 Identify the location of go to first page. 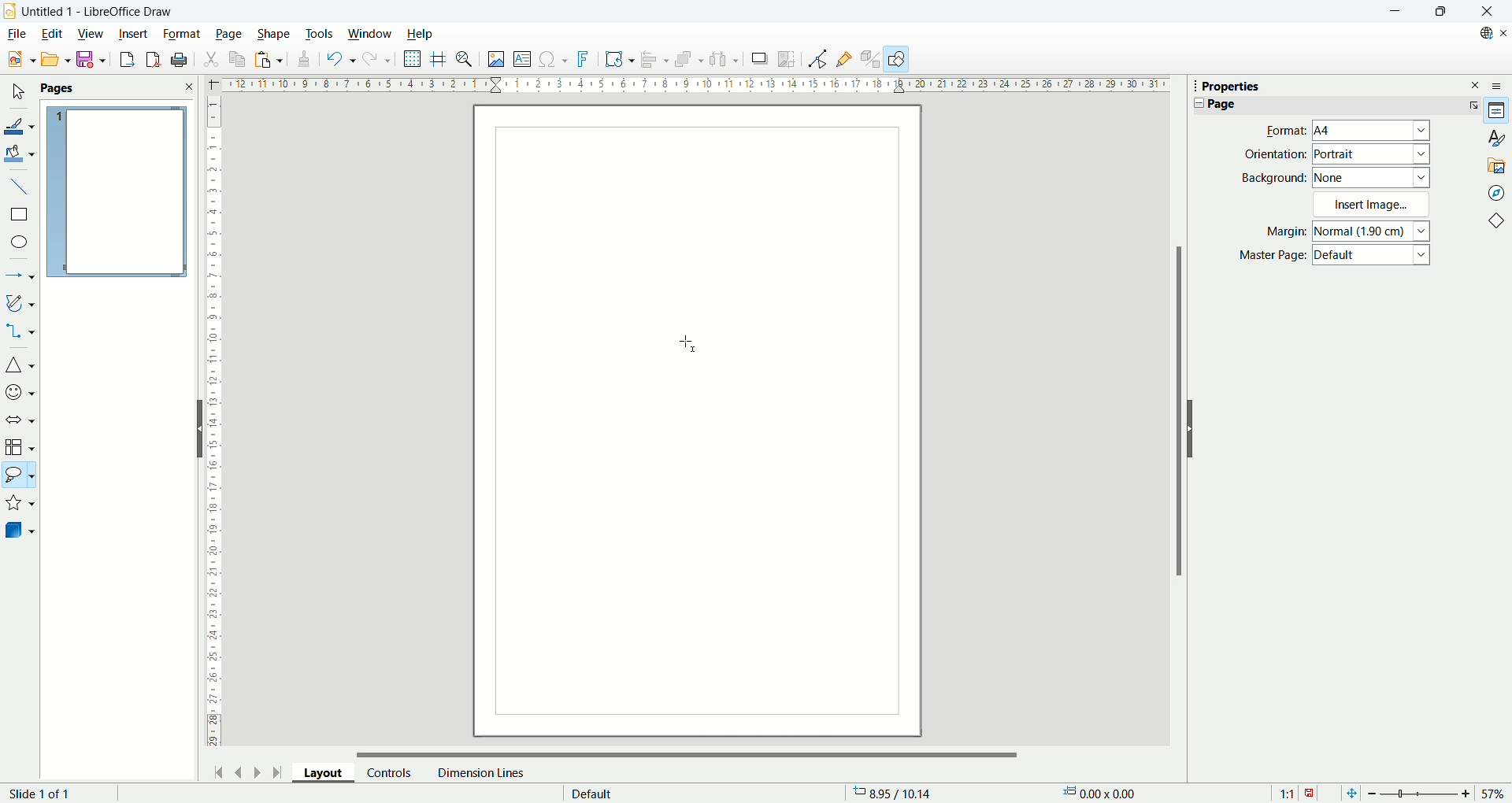
(220, 771).